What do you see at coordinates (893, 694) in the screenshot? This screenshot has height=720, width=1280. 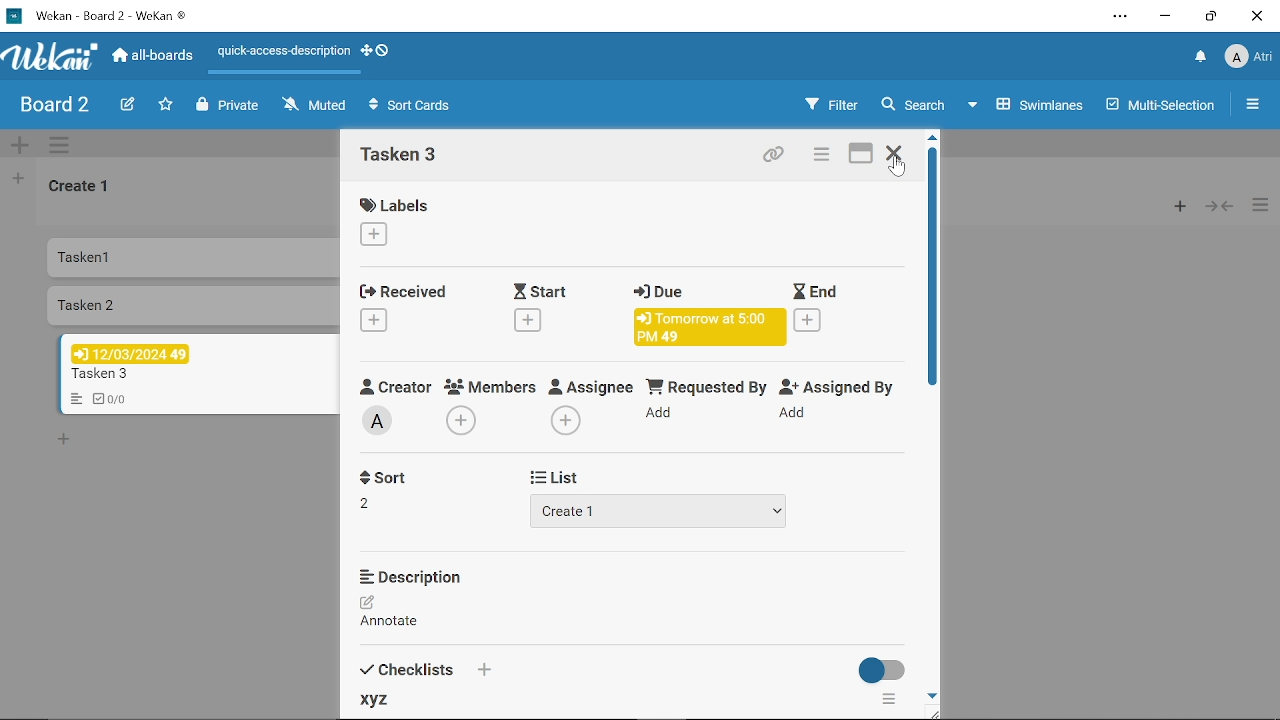 I see `more` at bounding box center [893, 694].